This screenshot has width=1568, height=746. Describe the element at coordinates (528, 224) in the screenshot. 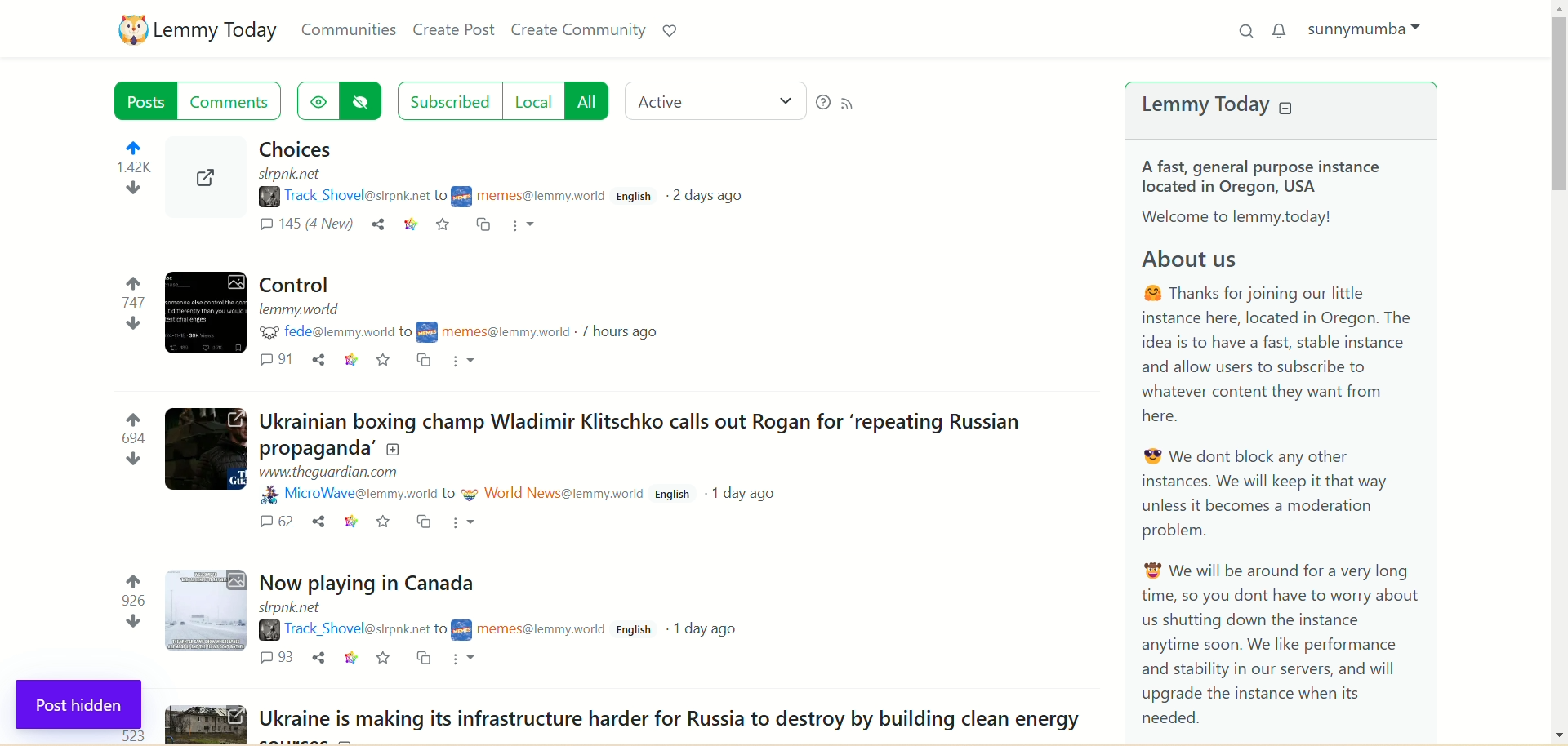

I see `more` at that location.